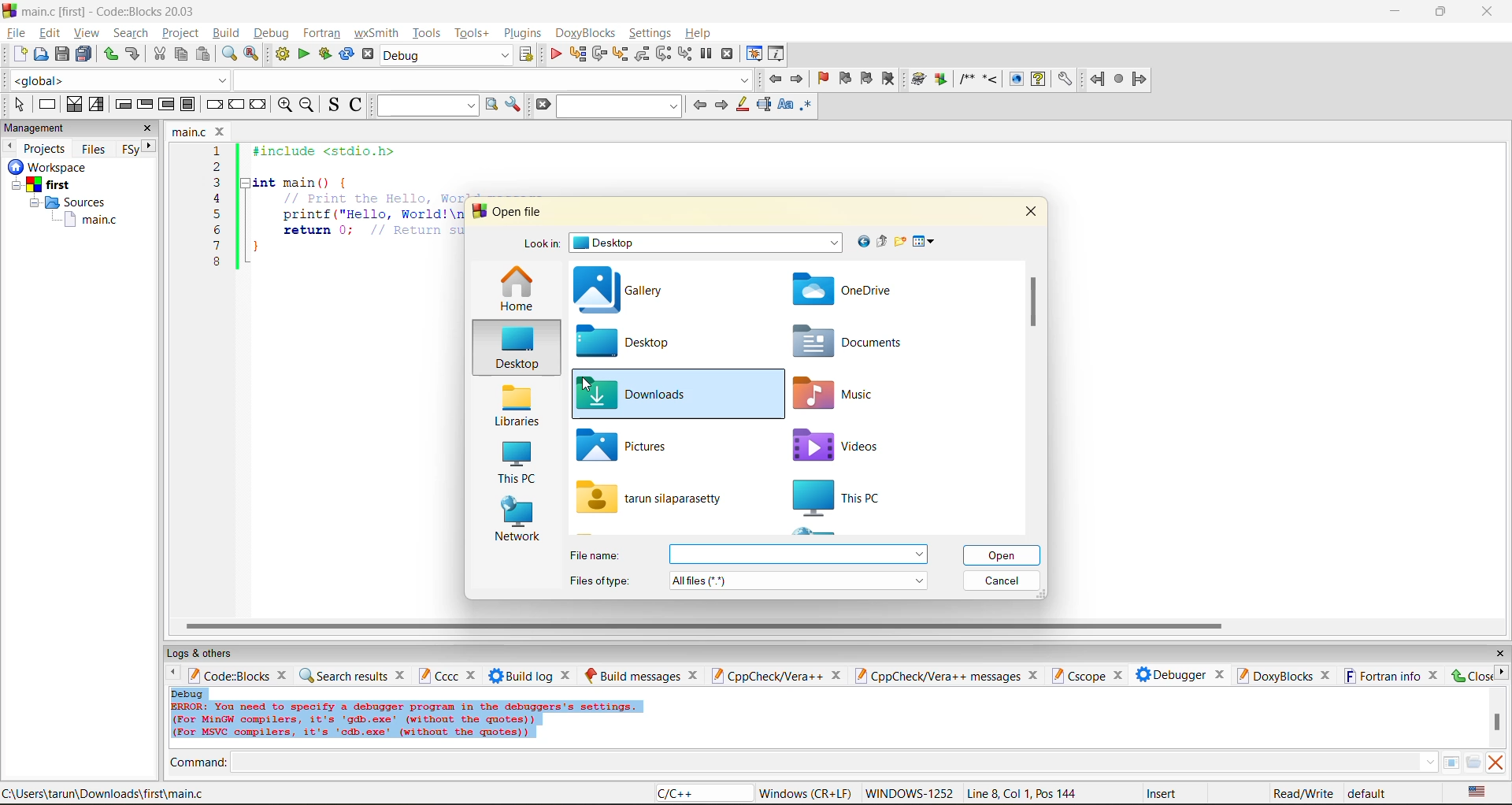  Describe the element at coordinates (576, 54) in the screenshot. I see `run to cursor` at that location.